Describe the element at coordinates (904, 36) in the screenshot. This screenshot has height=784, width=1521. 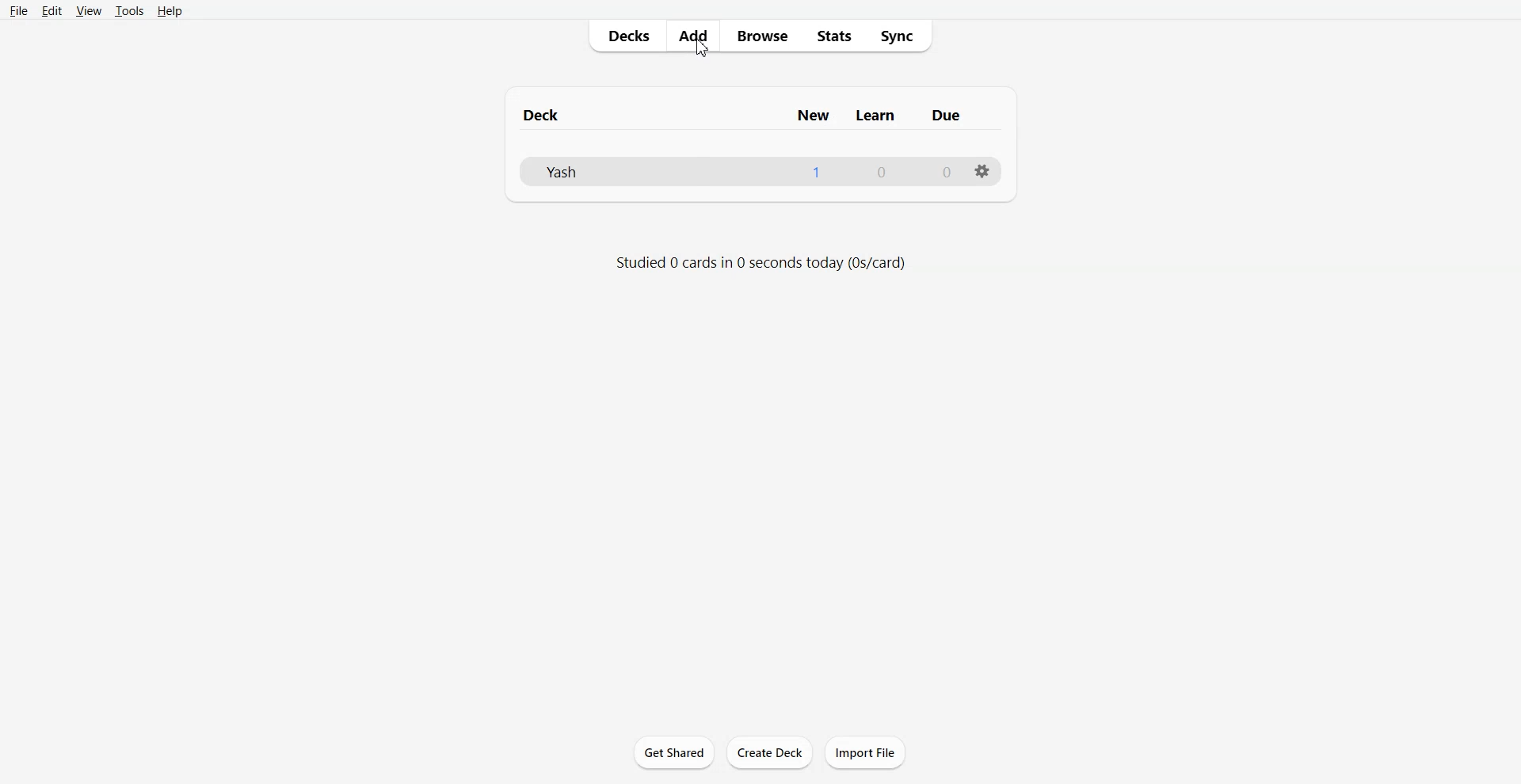
I see `Sync` at that location.